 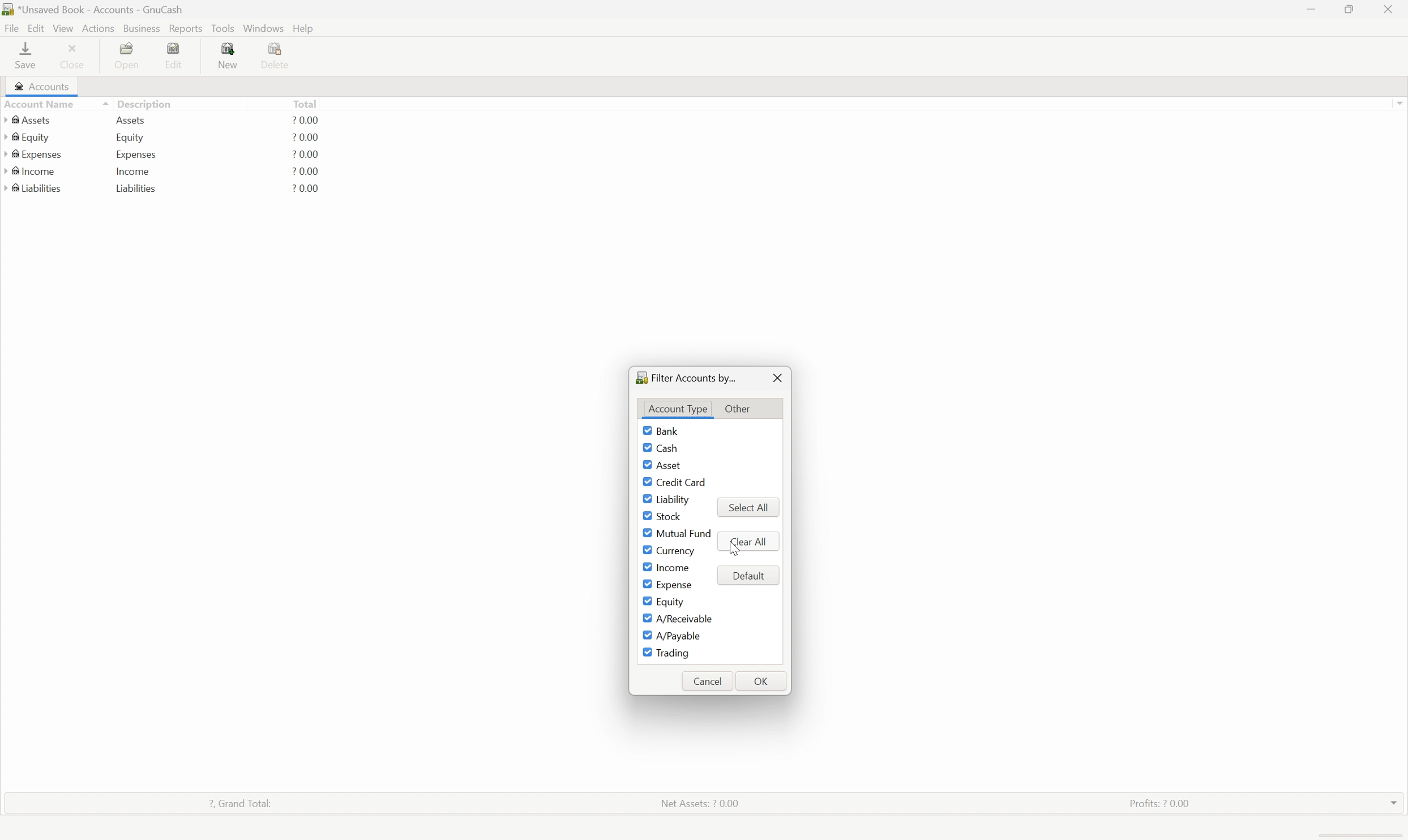 I want to click on select all, so click(x=751, y=505).